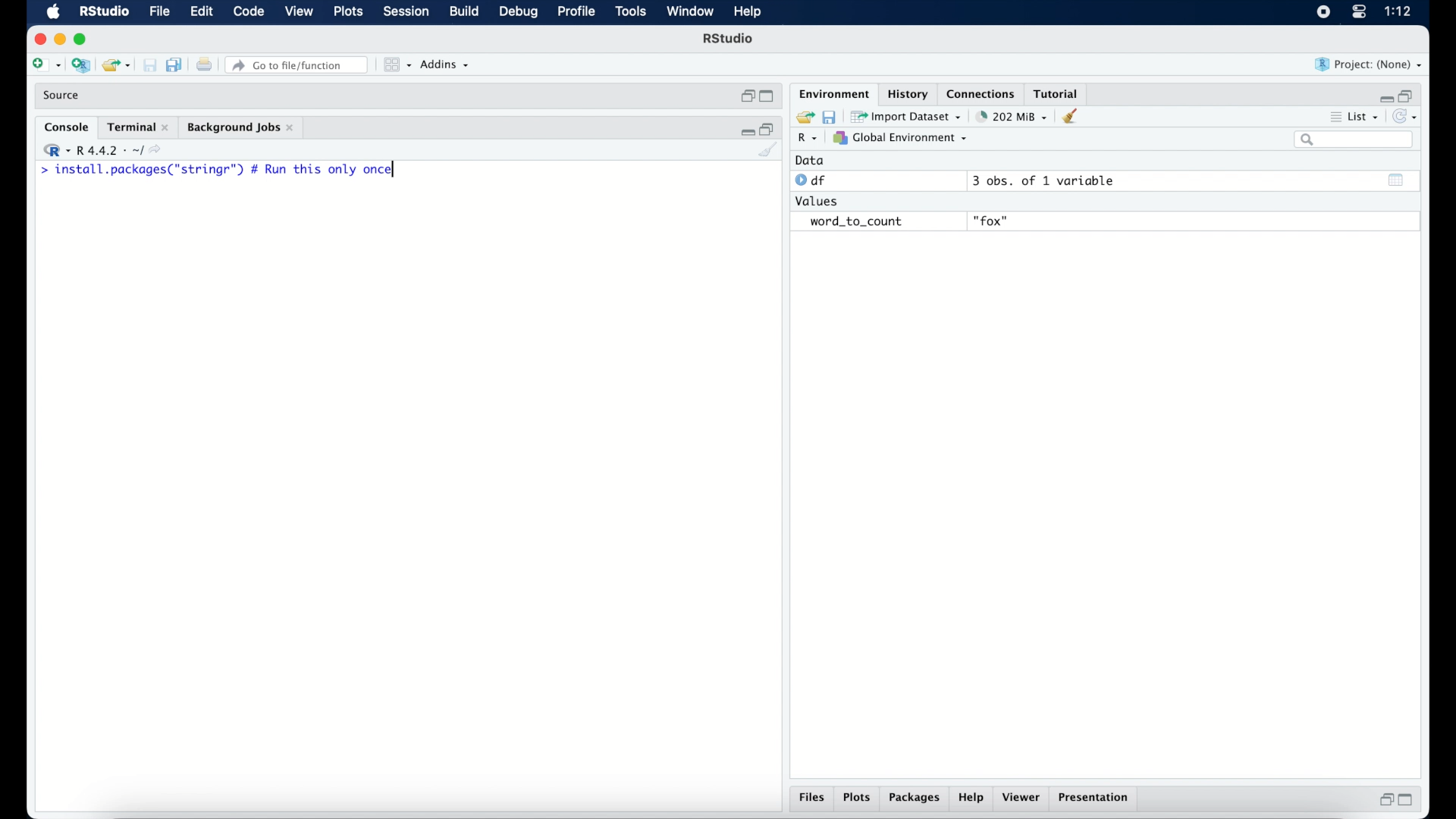  What do you see at coordinates (769, 97) in the screenshot?
I see `maximize` at bounding box center [769, 97].